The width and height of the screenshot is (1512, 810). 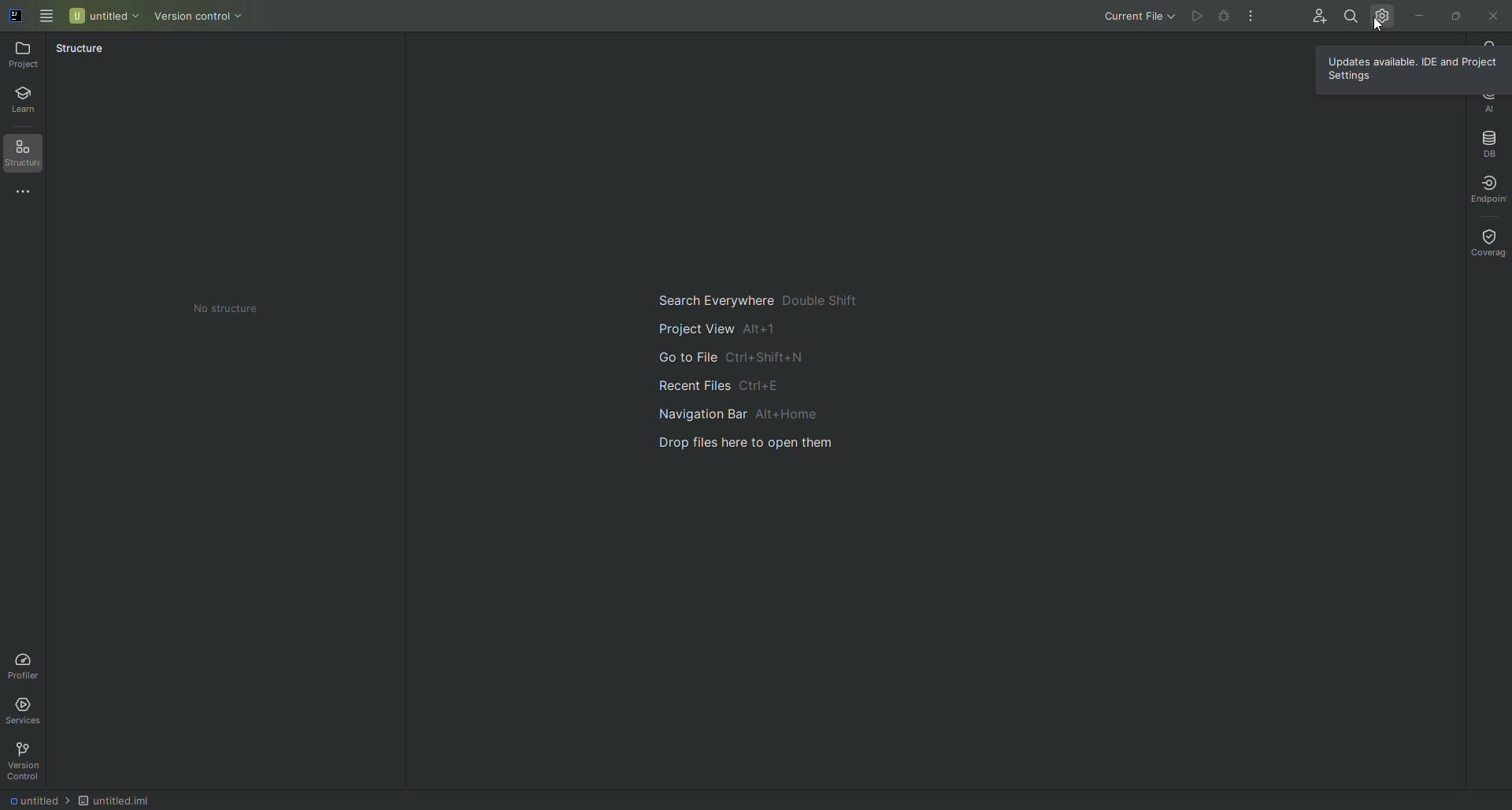 What do you see at coordinates (29, 193) in the screenshot?
I see `More tools` at bounding box center [29, 193].